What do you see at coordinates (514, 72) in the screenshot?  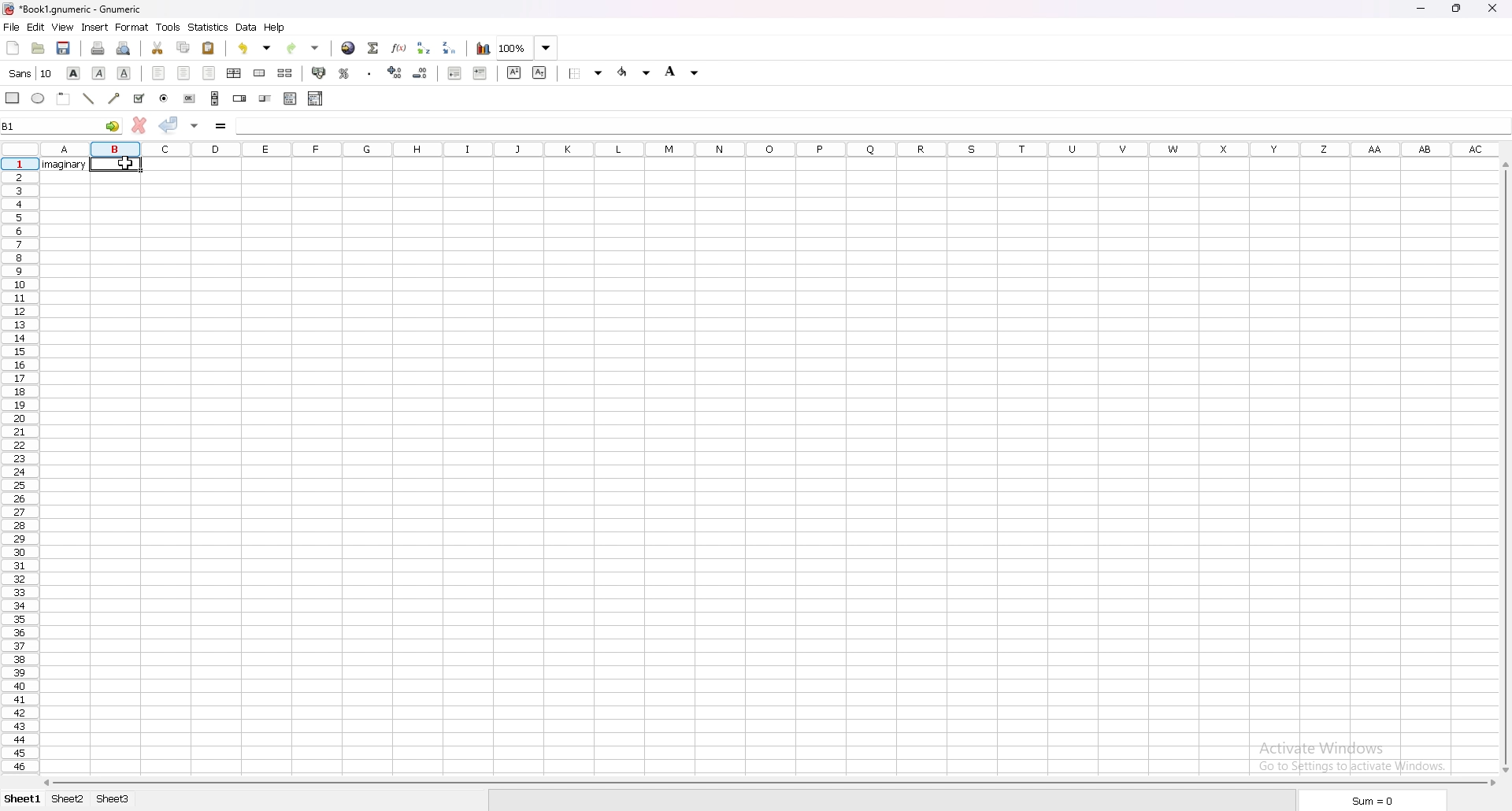 I see `superscript` at bounding box center [514, 72].